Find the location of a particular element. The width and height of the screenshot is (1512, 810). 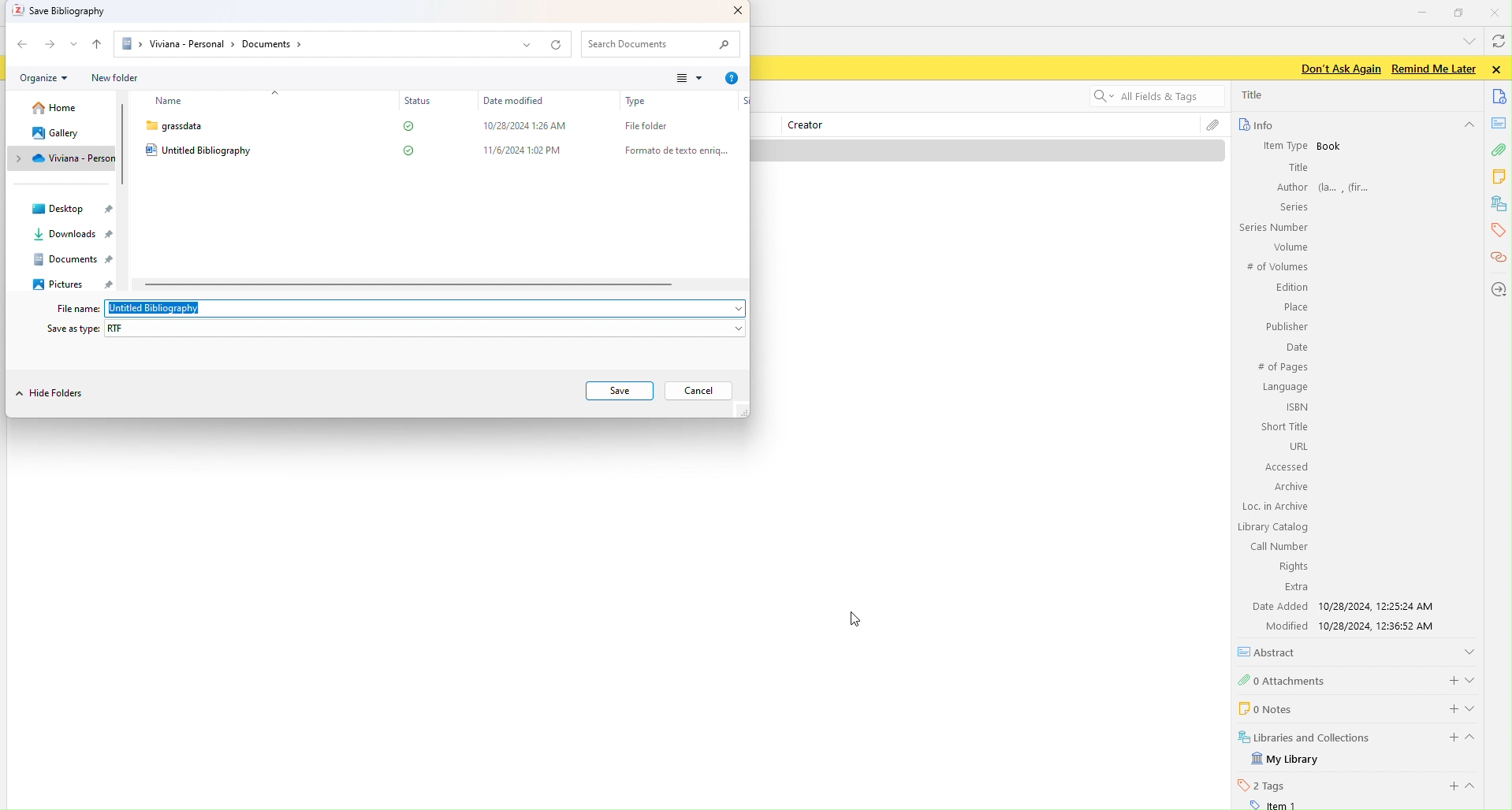

Loc. in Archive is located at coordinates (1276, 507).